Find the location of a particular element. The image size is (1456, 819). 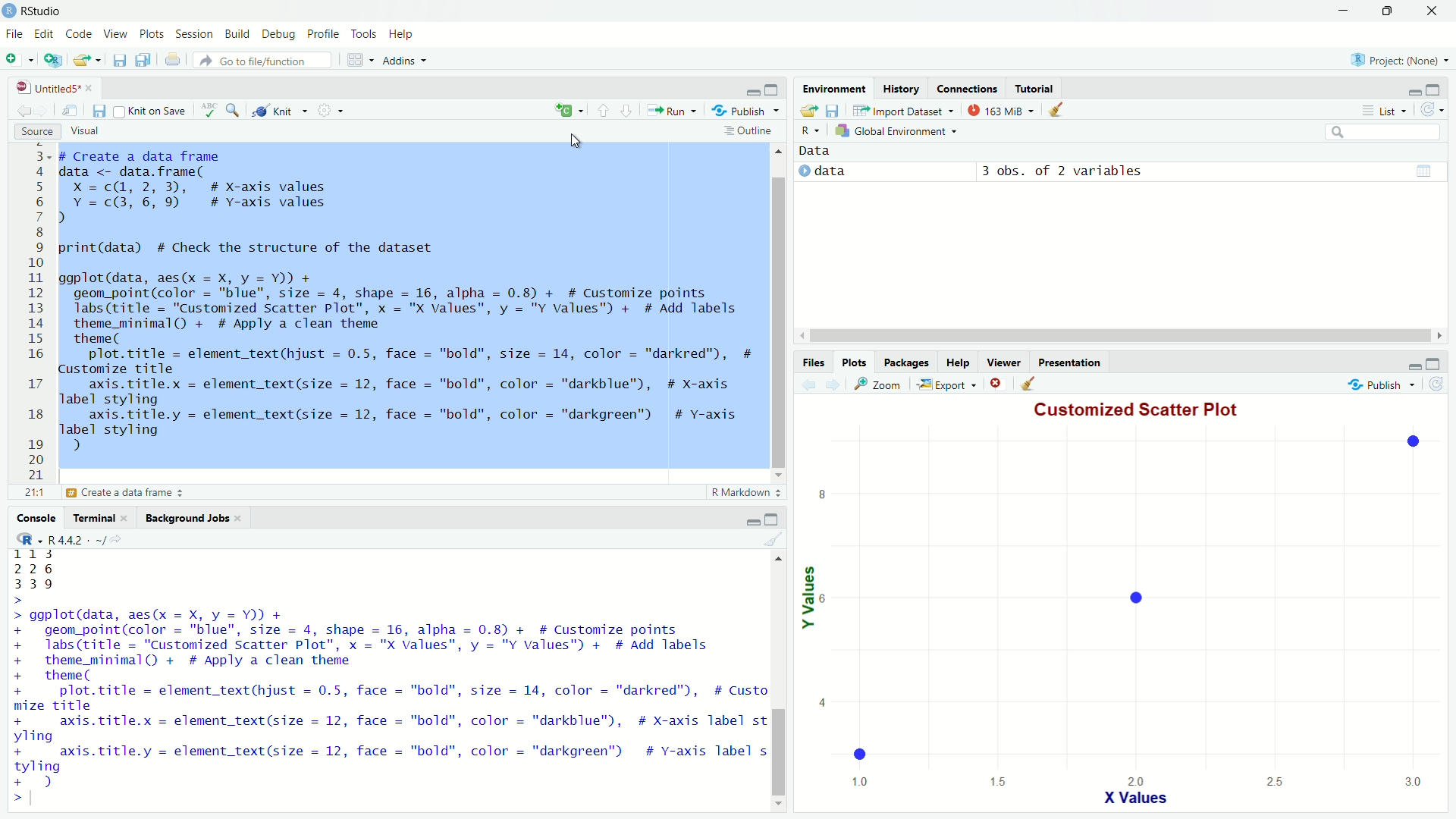

Settings is located at coordinates (332, 111).